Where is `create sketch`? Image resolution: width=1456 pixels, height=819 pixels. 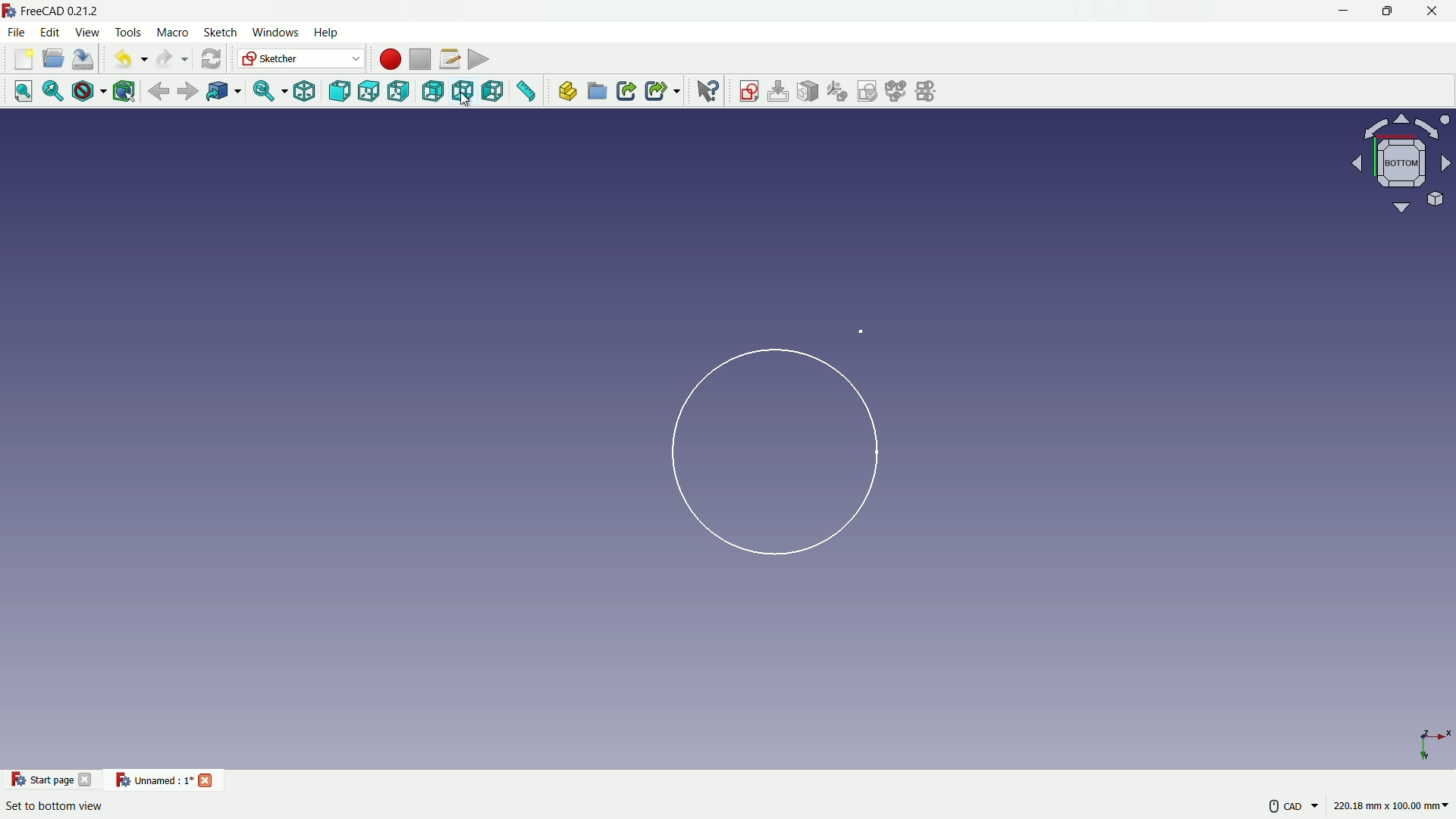 create sketch is located at coordinates (748, 92).